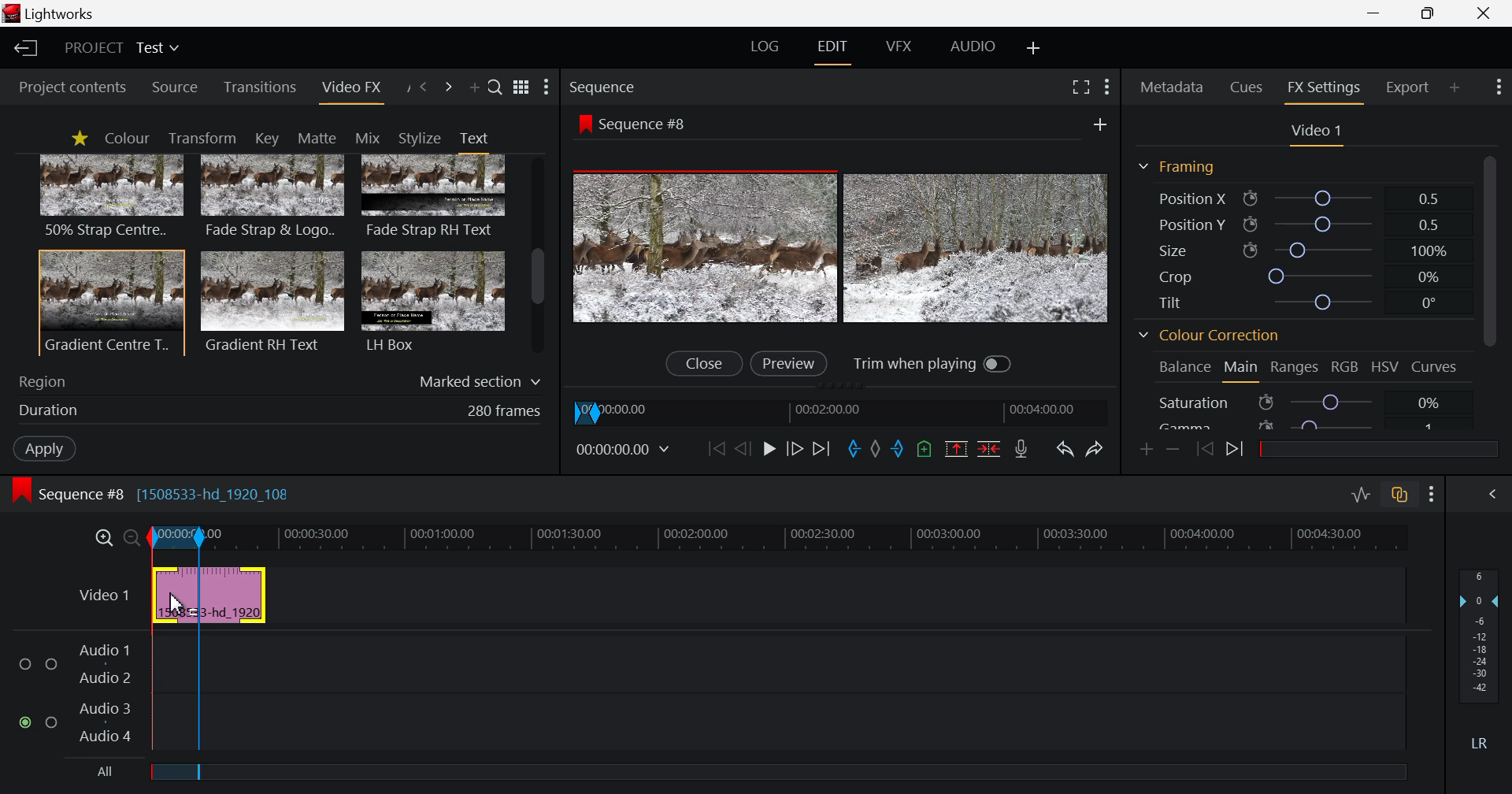 This screenshot has height=794, width=1512. Describe the element at coordinates (1480, 662) in the screenshot. I see `Decibel Level` at that location.